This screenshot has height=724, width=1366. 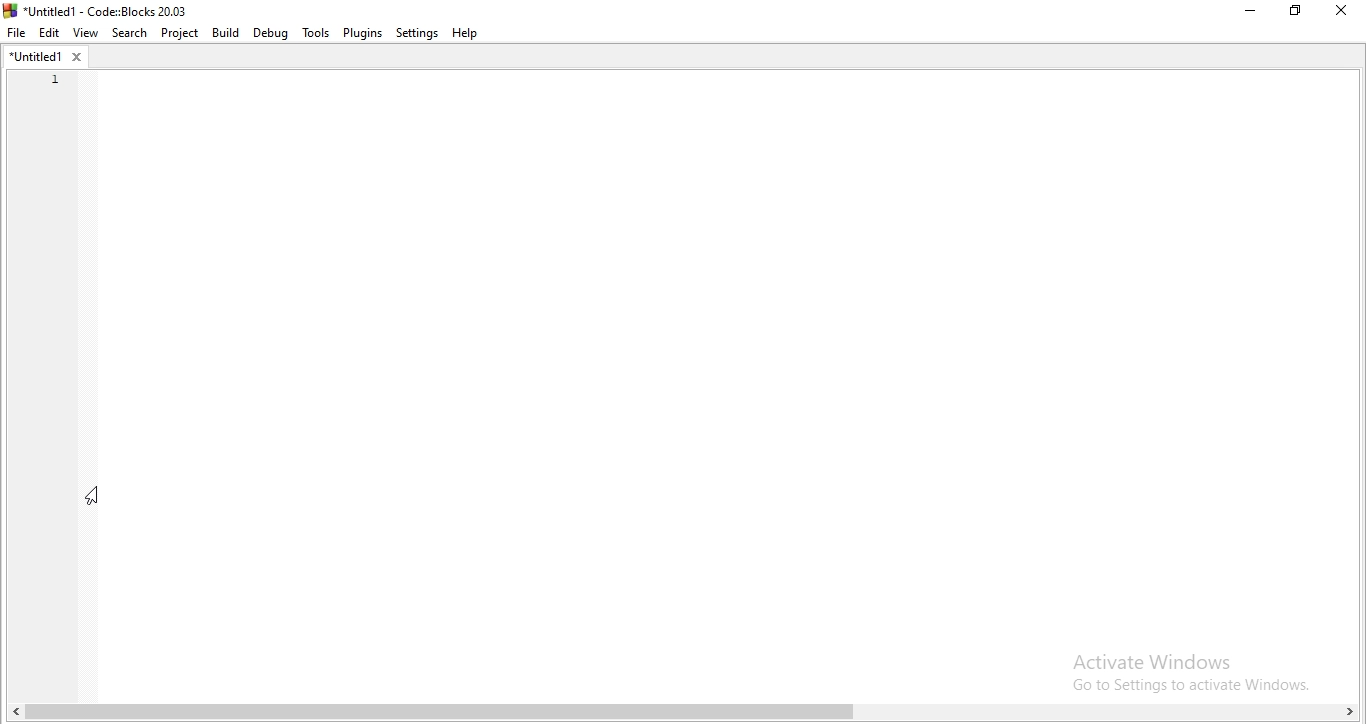 What do you see at coordinates (1183, 670) in the screenshot?
I see `Activate Windows
Go to Settings to activate Windows.` at bounding box center [1183, 670].